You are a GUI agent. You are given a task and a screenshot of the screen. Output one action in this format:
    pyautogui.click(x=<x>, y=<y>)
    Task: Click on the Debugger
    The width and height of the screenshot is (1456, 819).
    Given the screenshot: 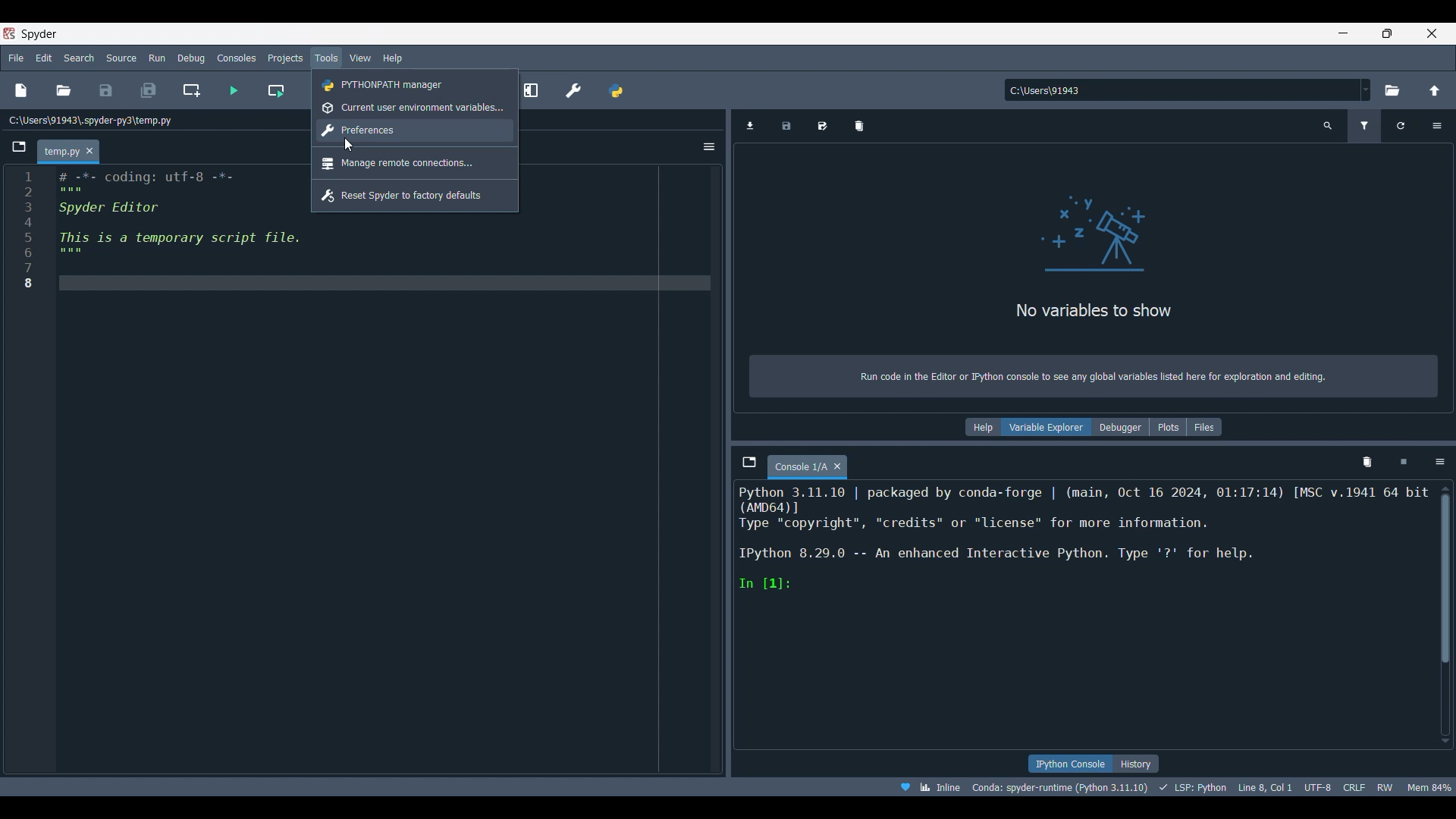 What is the action you would take?
    pyautogui.click(x=1118, y=428)
    